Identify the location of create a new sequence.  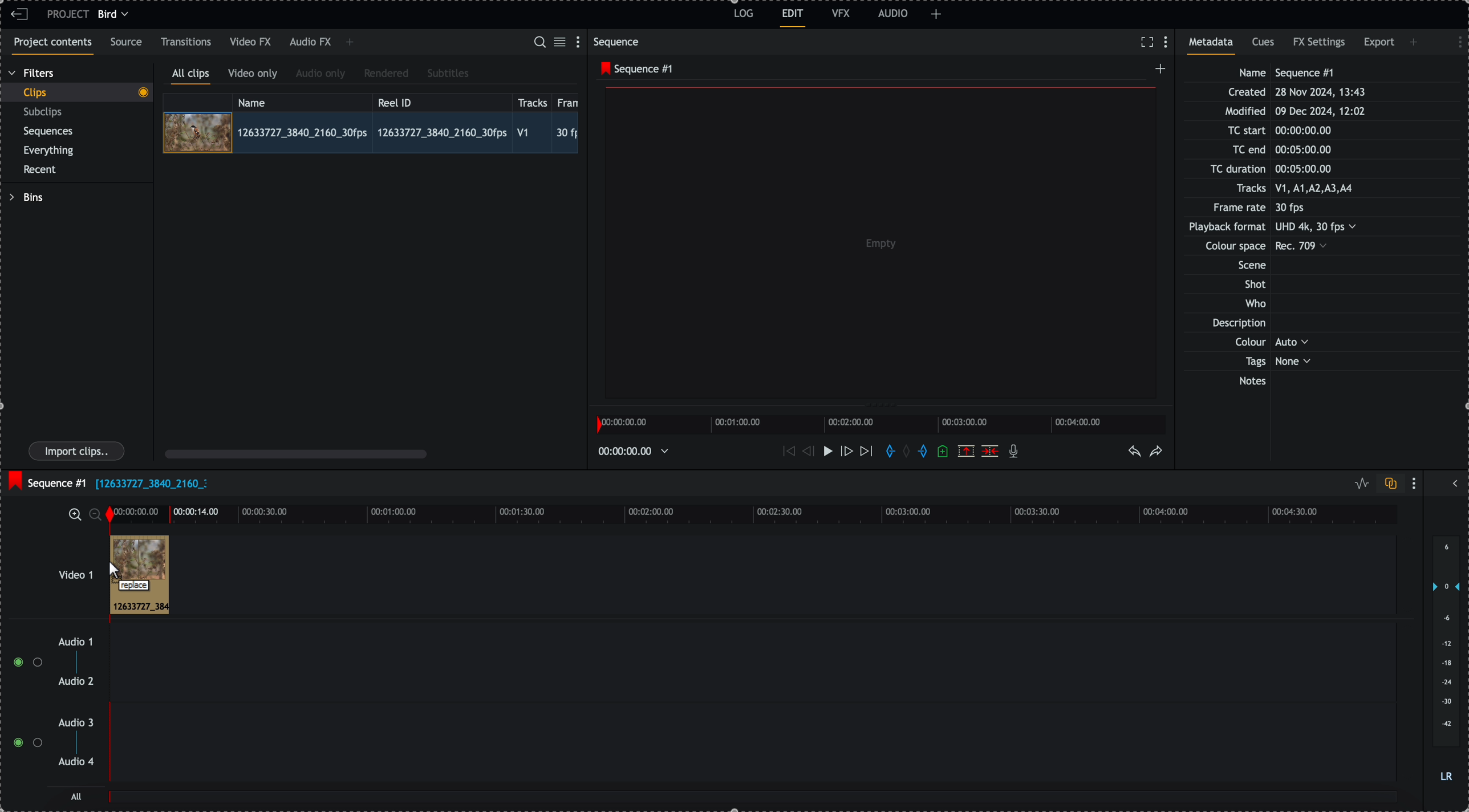
(1158, 72).